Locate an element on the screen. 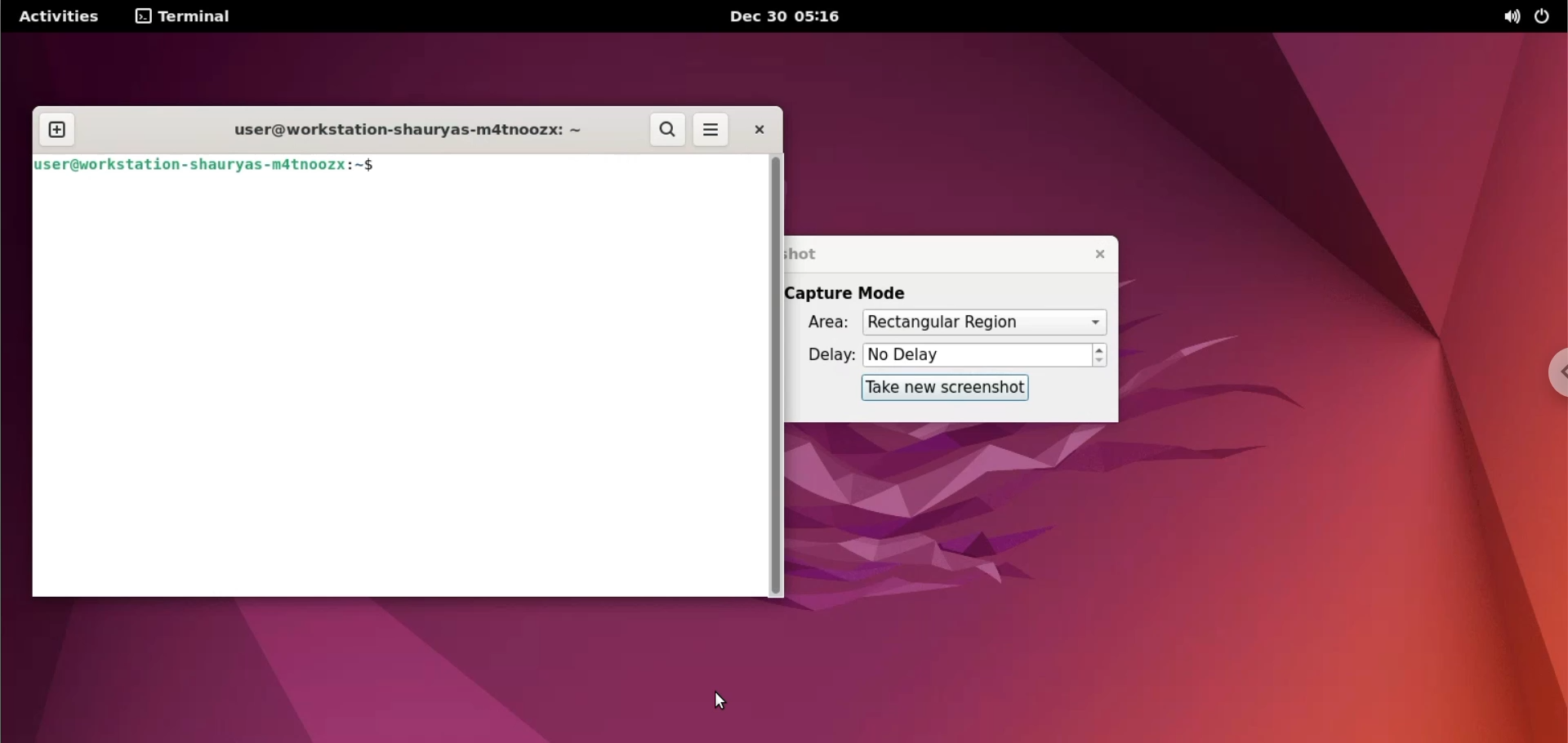 This screenshot has width=1568, height=743. close is located at coordinates (766, 130).